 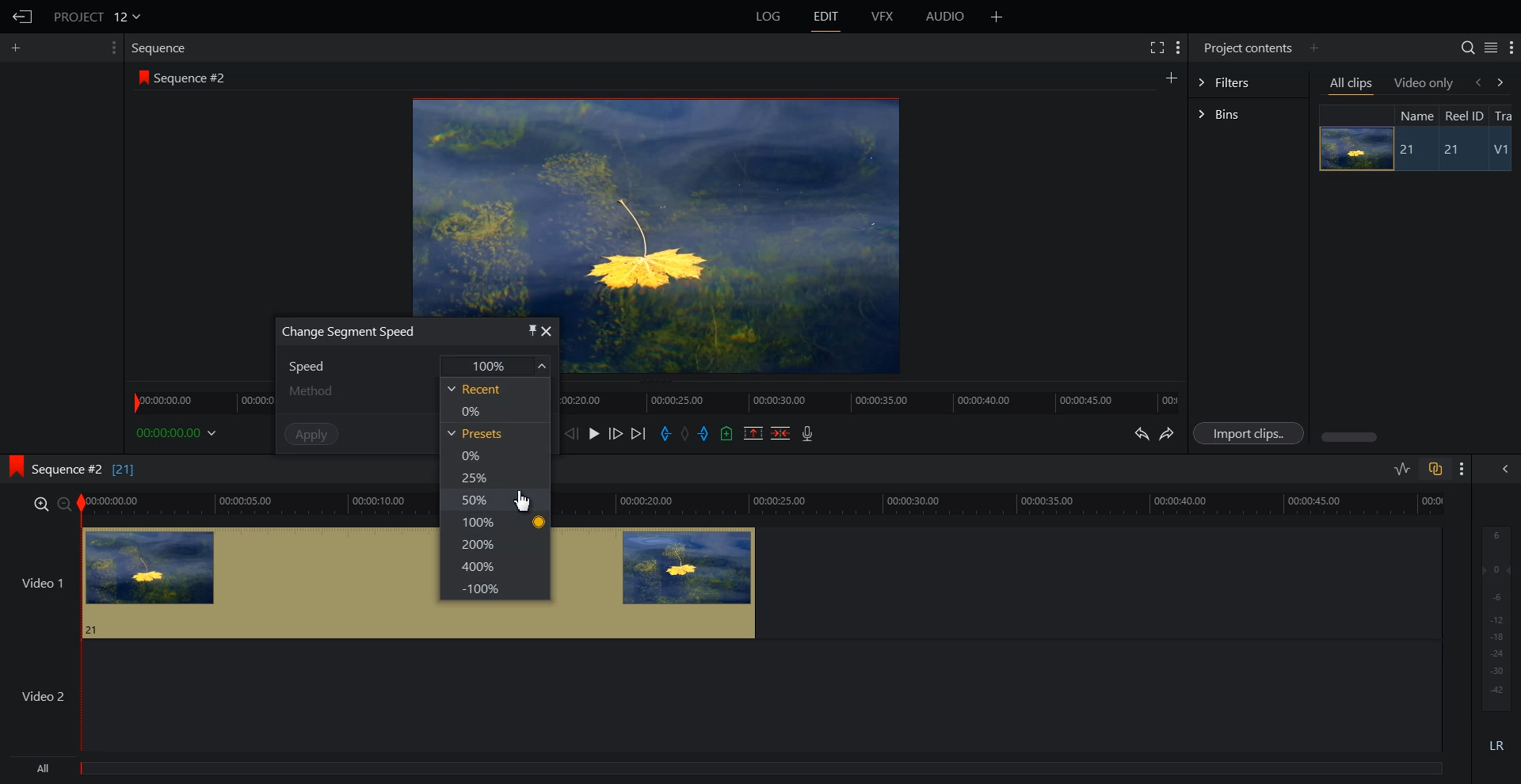 I want to click on 21, so click(x=1409, y=150).